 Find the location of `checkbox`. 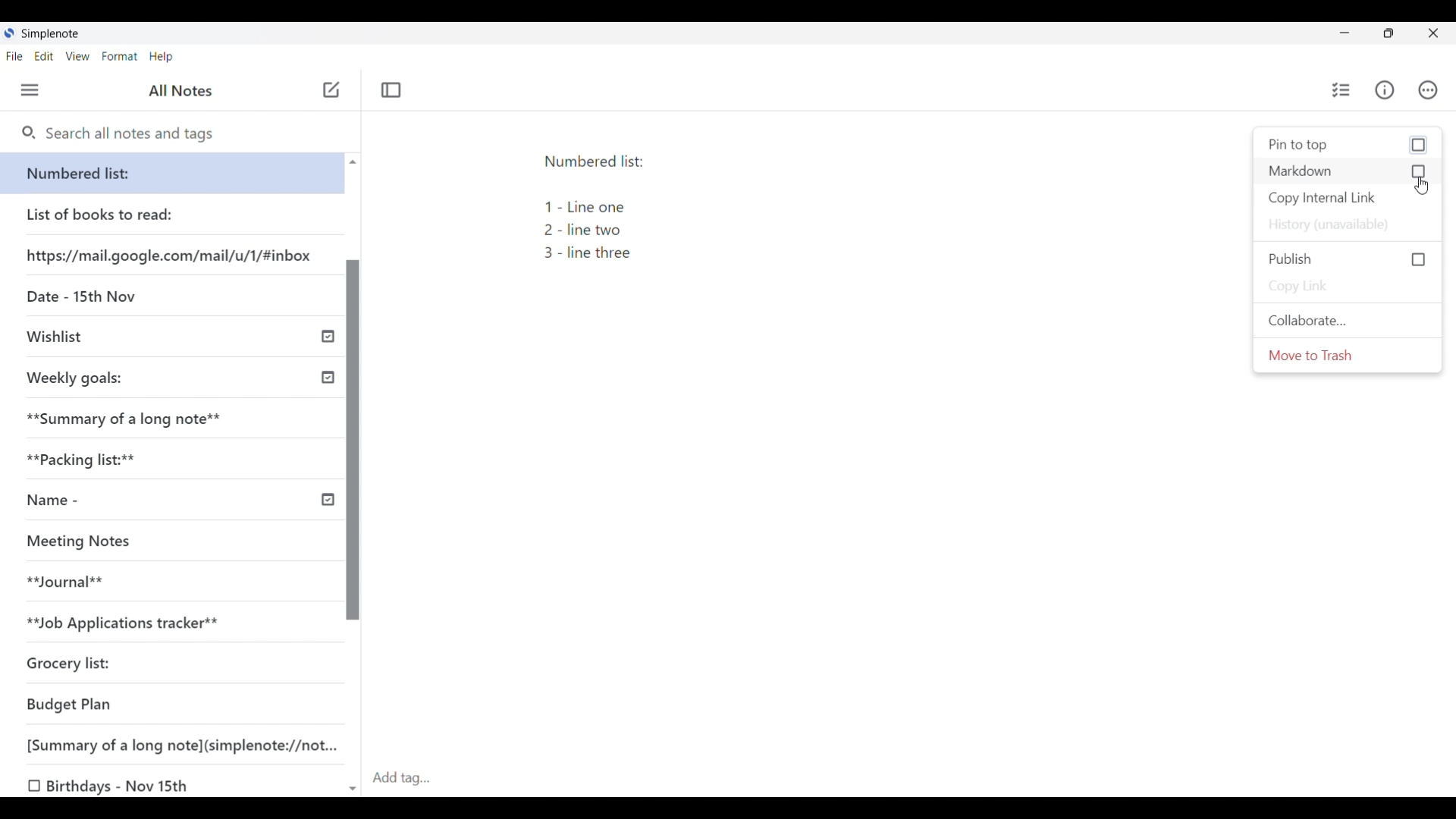

checkbox is located at coordinates (1417, 146).